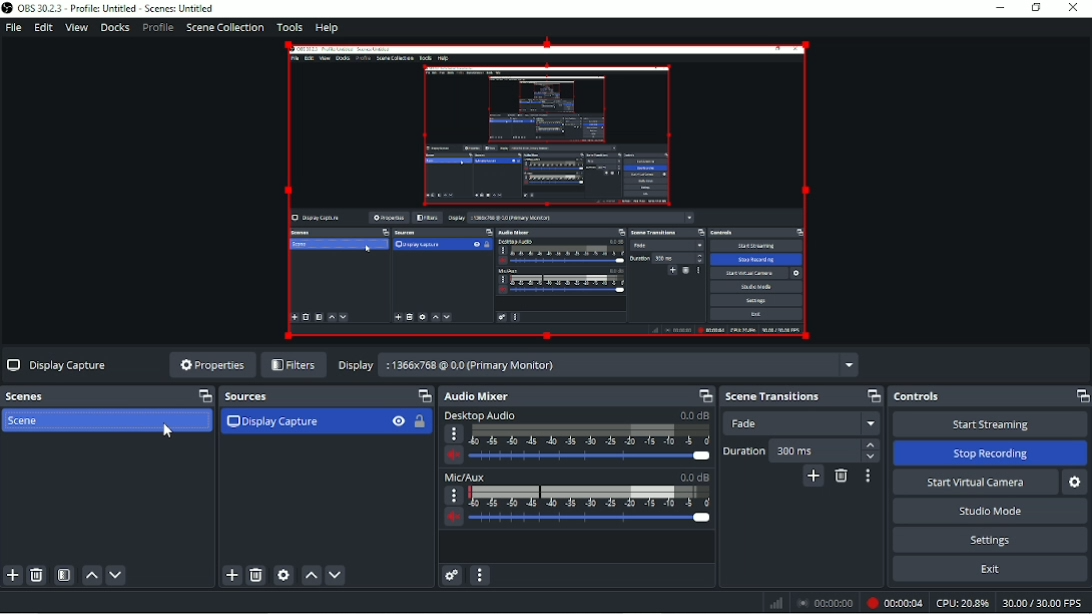  Describe the element at coordinates (962, 603) in the screenshot. I see `CPU: 20.8%` at that location.